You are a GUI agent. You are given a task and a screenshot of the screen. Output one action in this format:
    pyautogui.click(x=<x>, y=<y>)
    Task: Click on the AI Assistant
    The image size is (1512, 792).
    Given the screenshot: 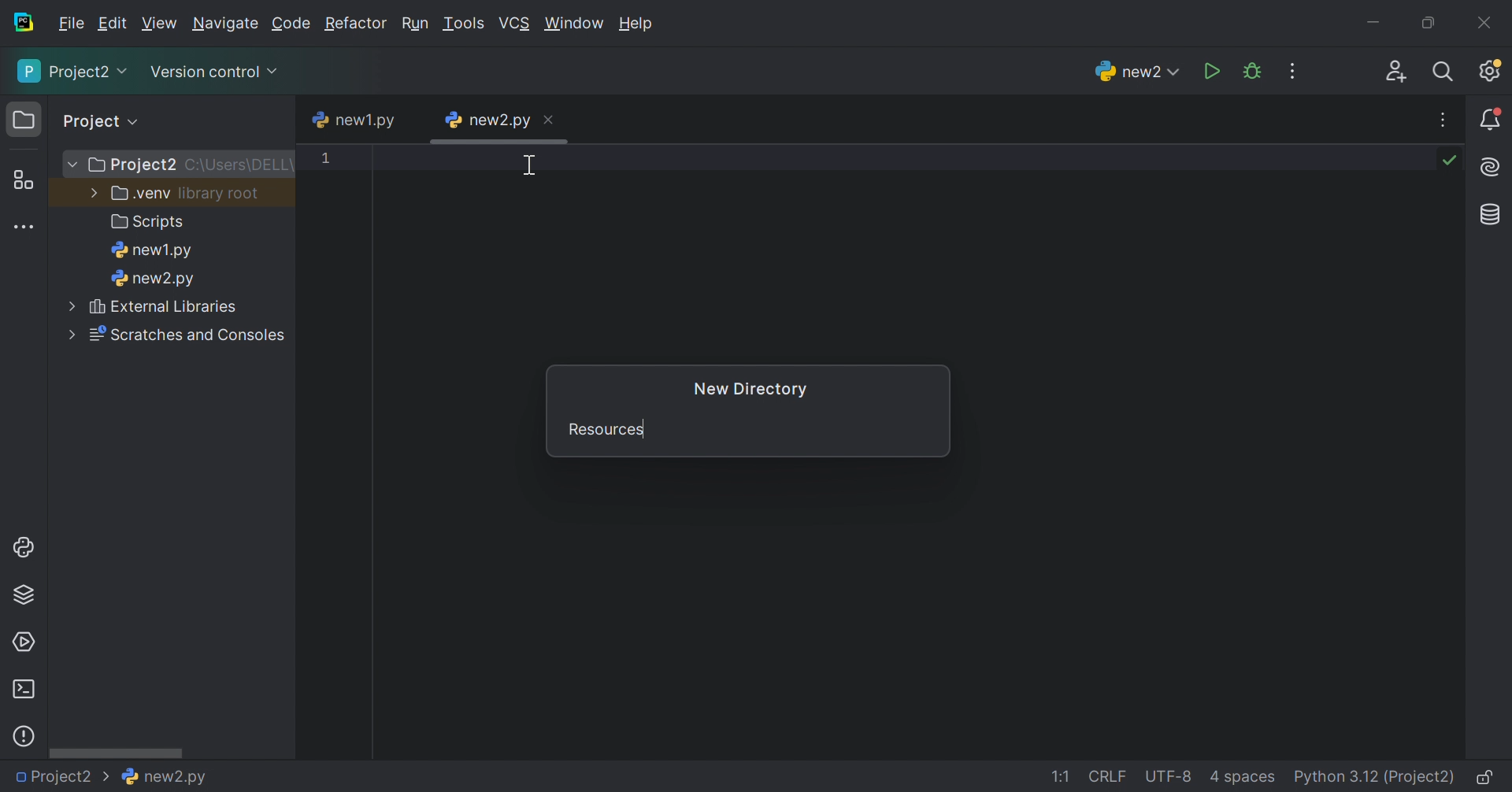 What is the action you would take?
    pyautogui.click(x=1494, y=167)
    